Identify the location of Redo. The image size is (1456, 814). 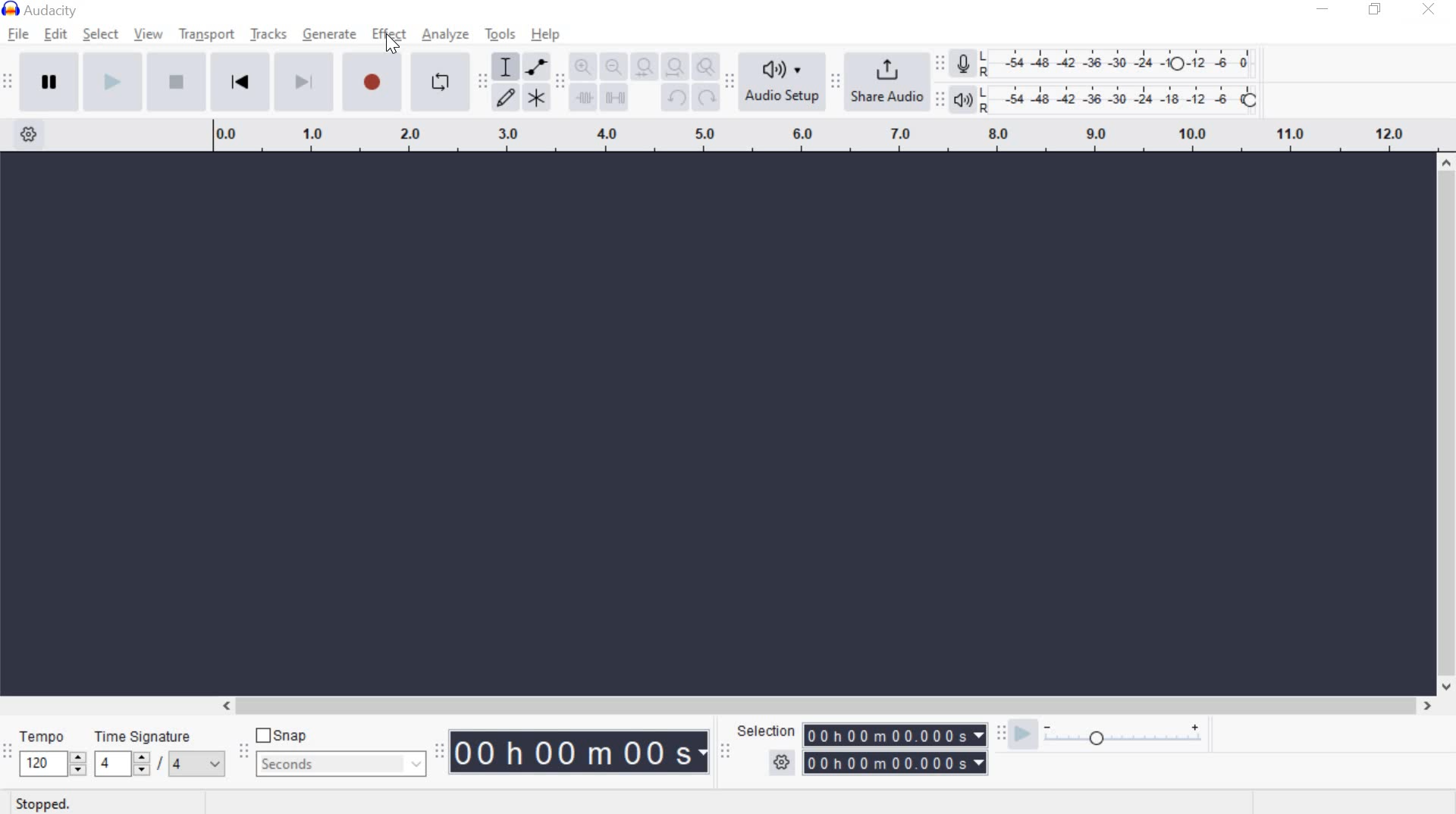
(707, 99).